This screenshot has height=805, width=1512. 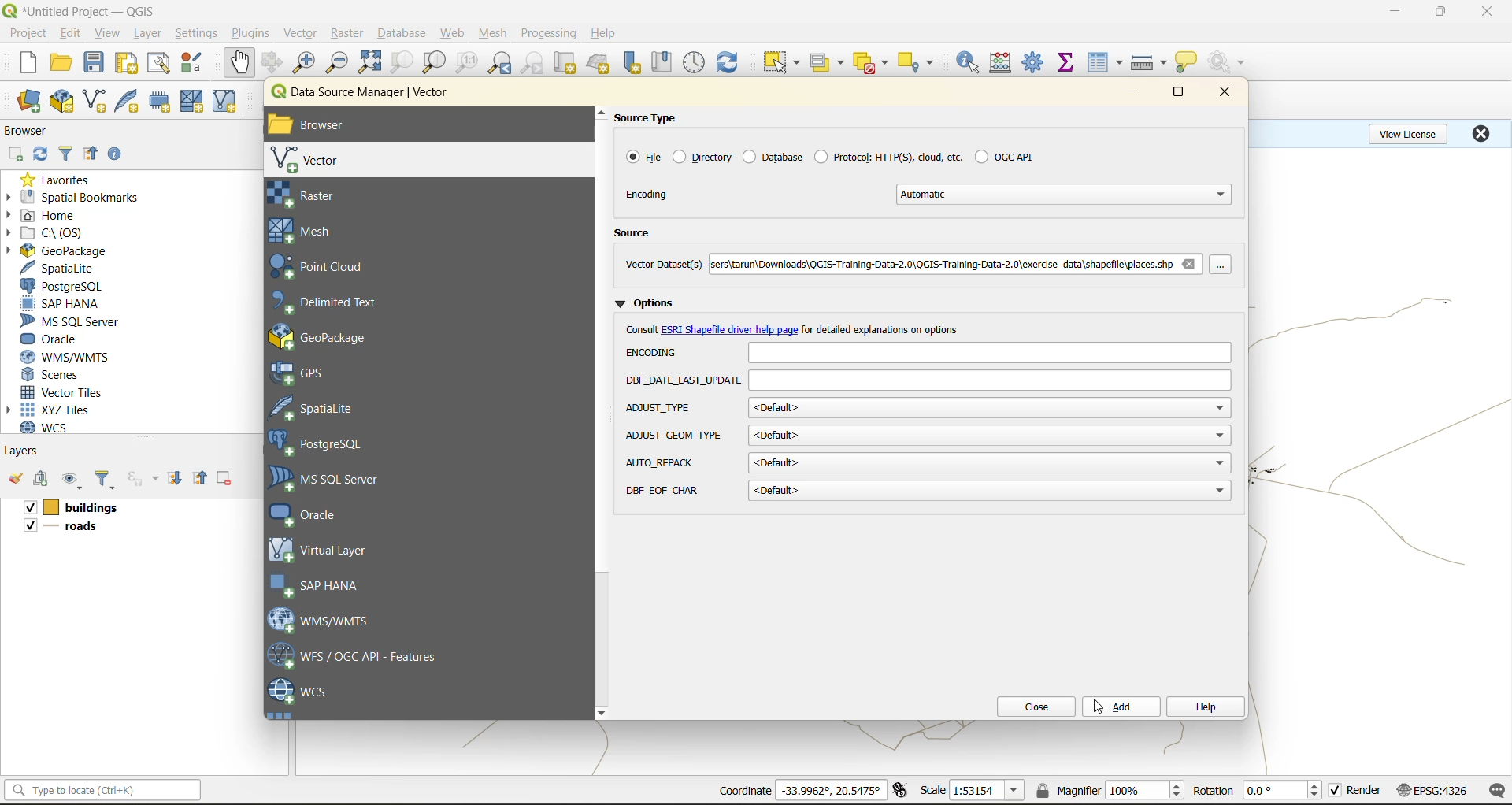 I want to click on tool box, so click(x=1035, y=61).